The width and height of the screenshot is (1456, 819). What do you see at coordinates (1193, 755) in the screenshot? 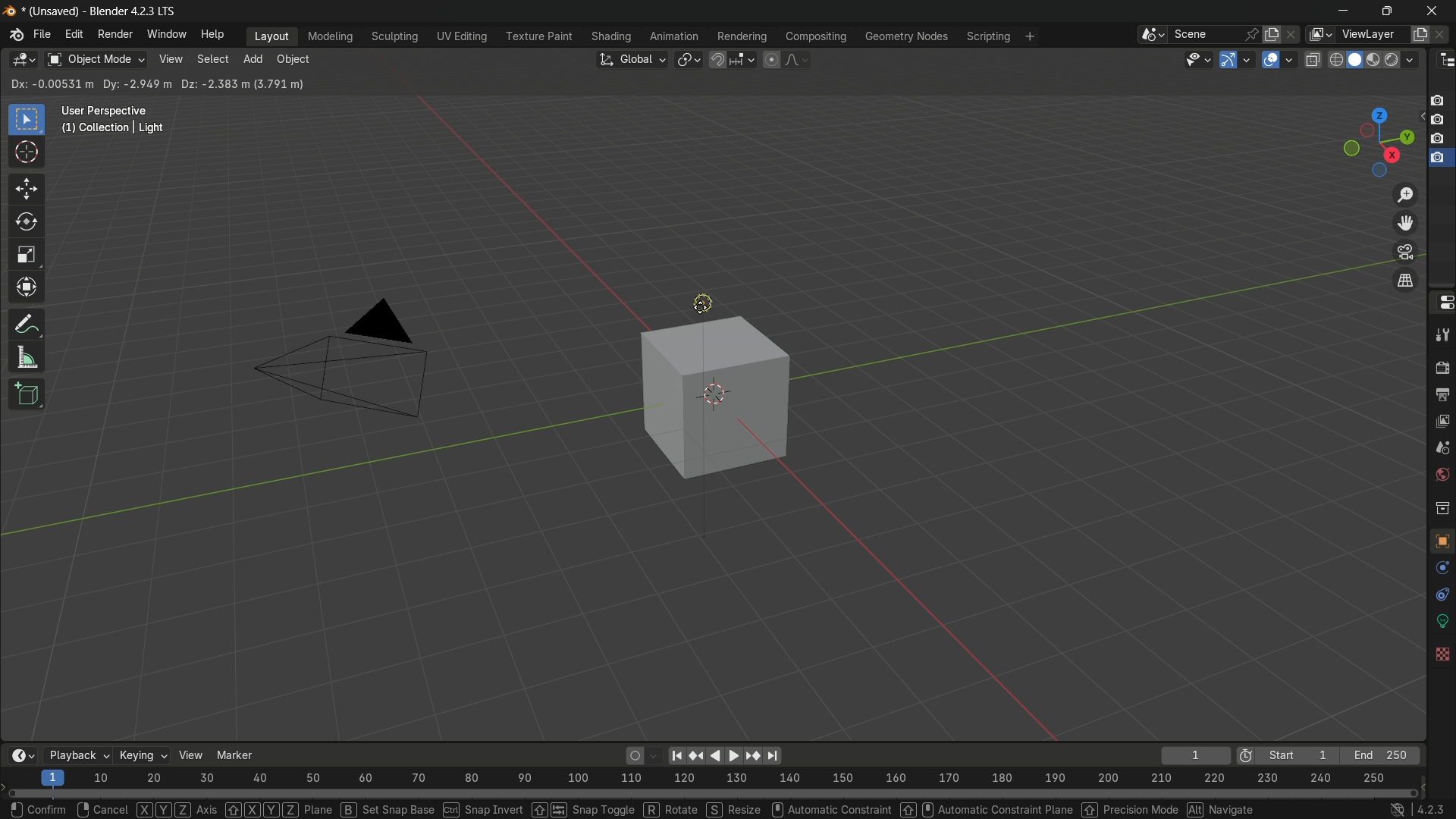
I see `current key frame` at bounding box center [1193, 755].